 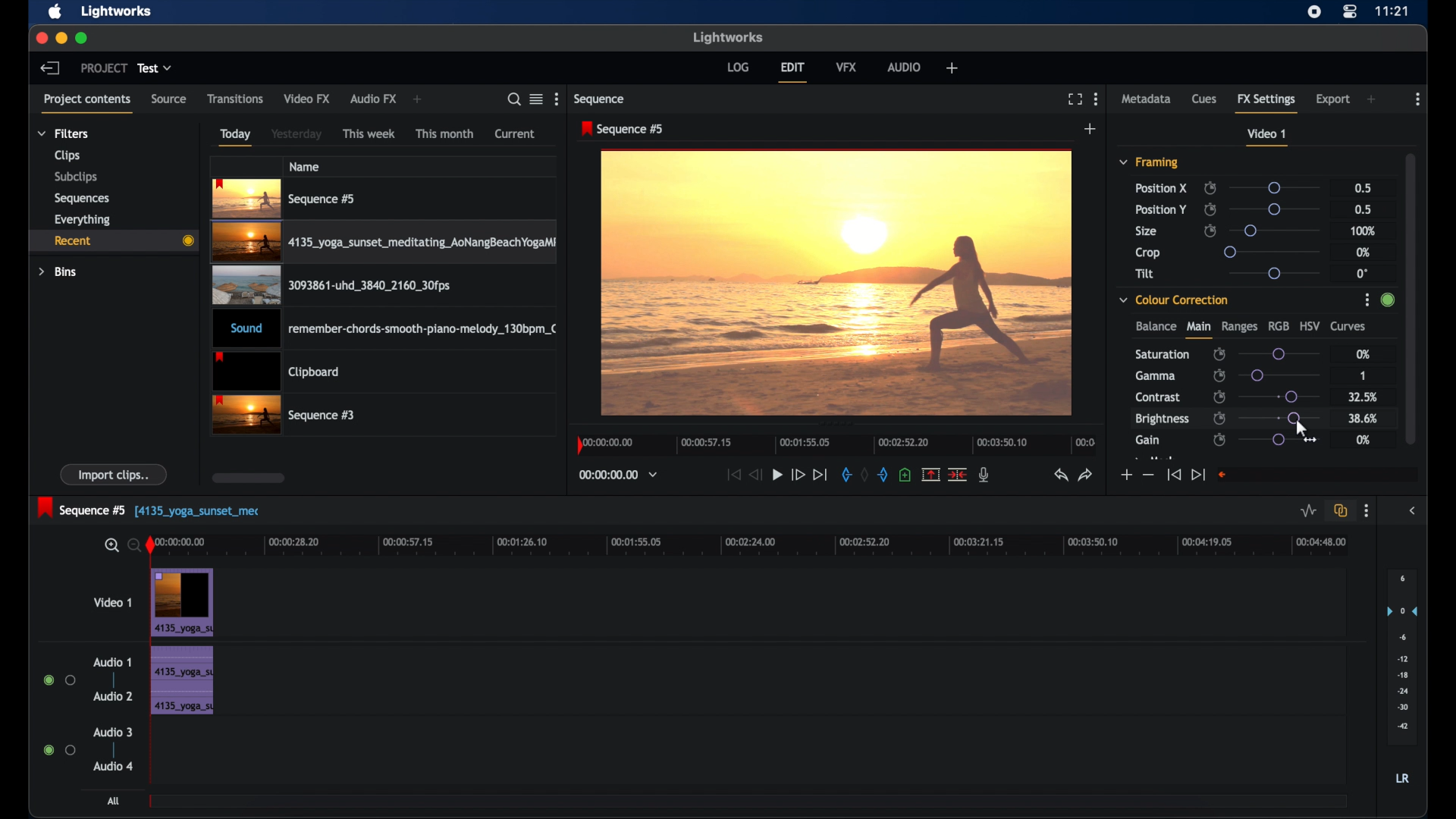 I want to click on options, so click(x=1362, y=302).